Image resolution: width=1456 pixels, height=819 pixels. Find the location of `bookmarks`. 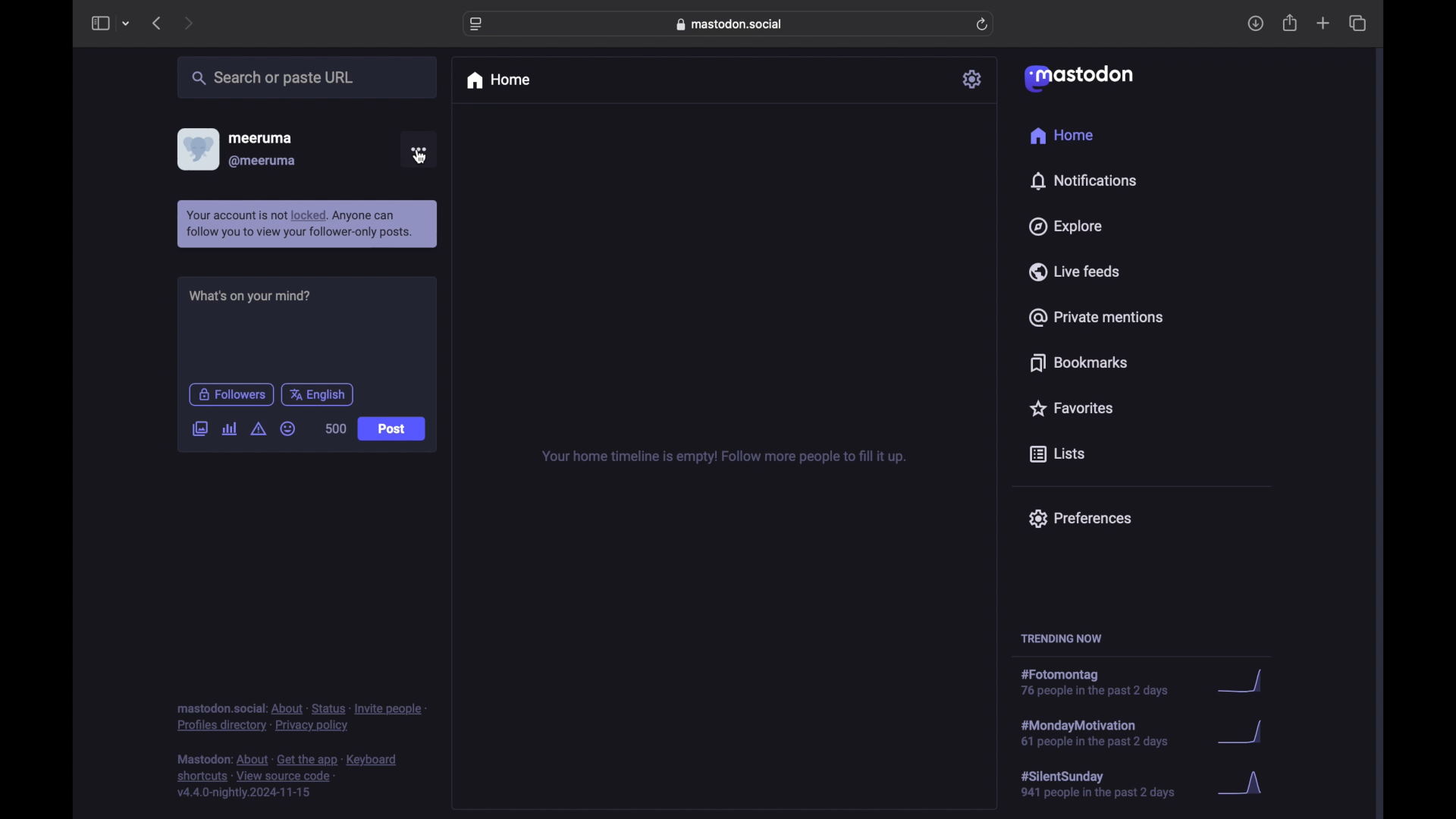

bookmarks is located at coordinates (1077, 362).